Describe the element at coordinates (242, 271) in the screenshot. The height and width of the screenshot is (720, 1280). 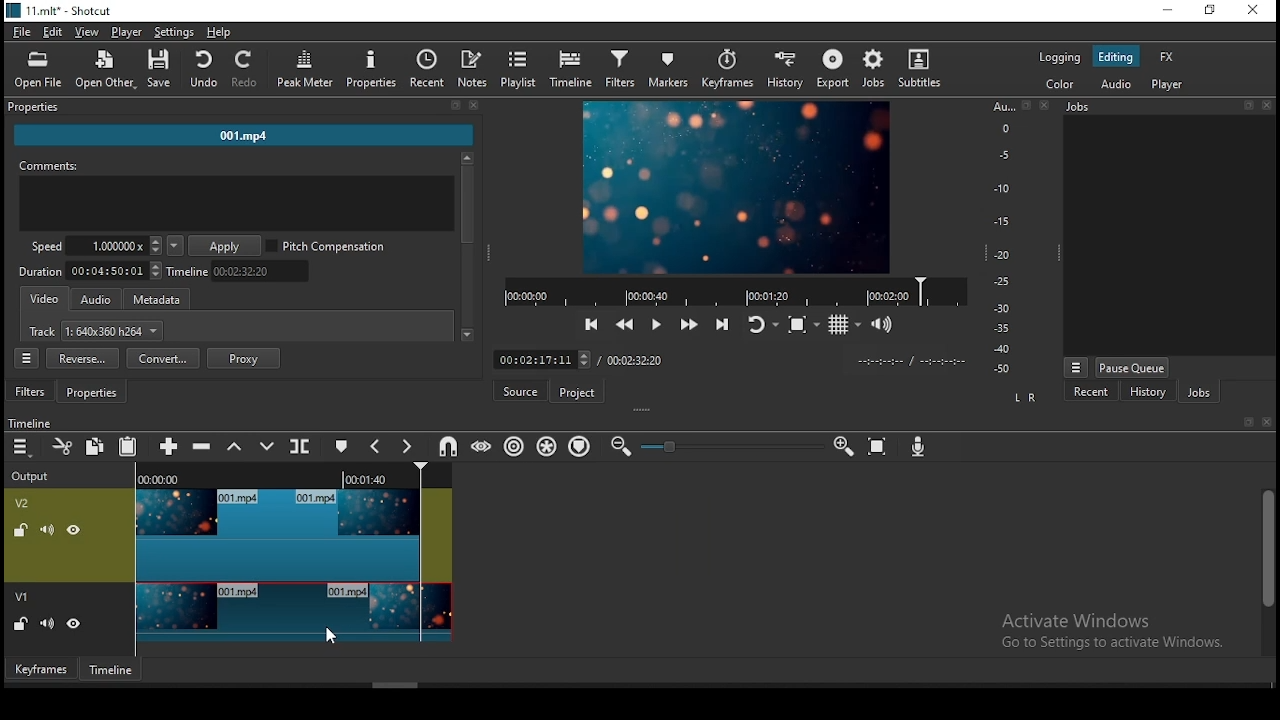
I see `timeline` at that location.